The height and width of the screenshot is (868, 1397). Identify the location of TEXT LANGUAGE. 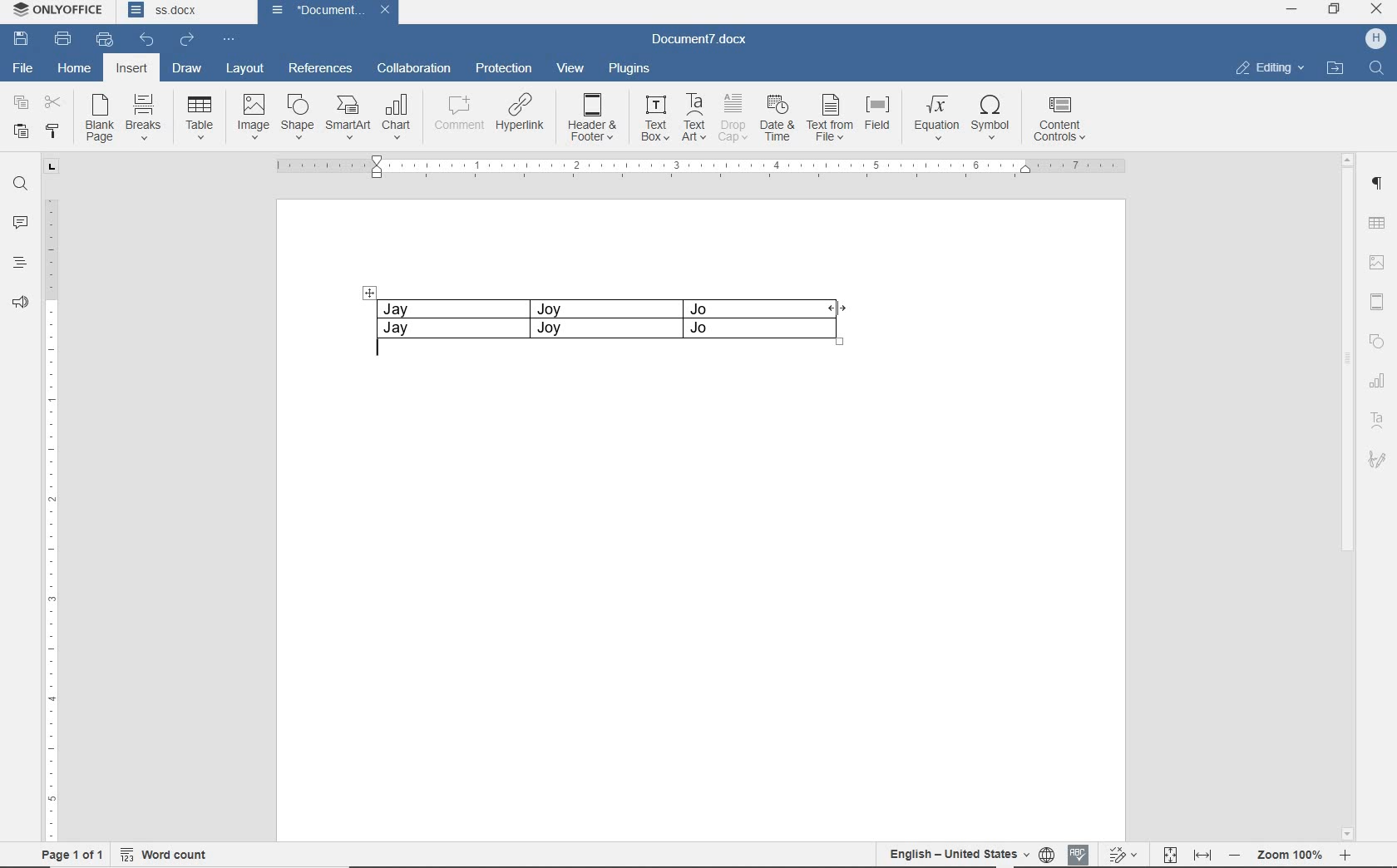
(956, 854).